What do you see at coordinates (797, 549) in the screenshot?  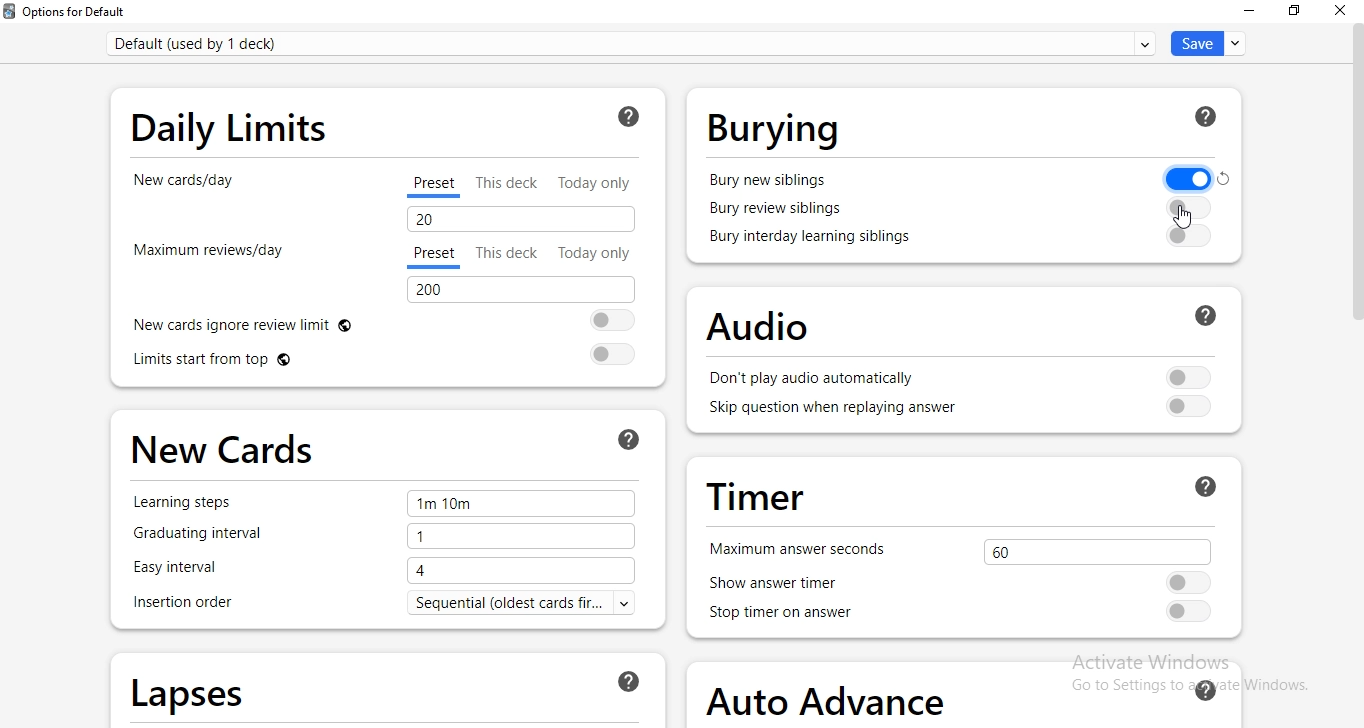 I see `maximum answer seconds` at bounding box center [797, 549].